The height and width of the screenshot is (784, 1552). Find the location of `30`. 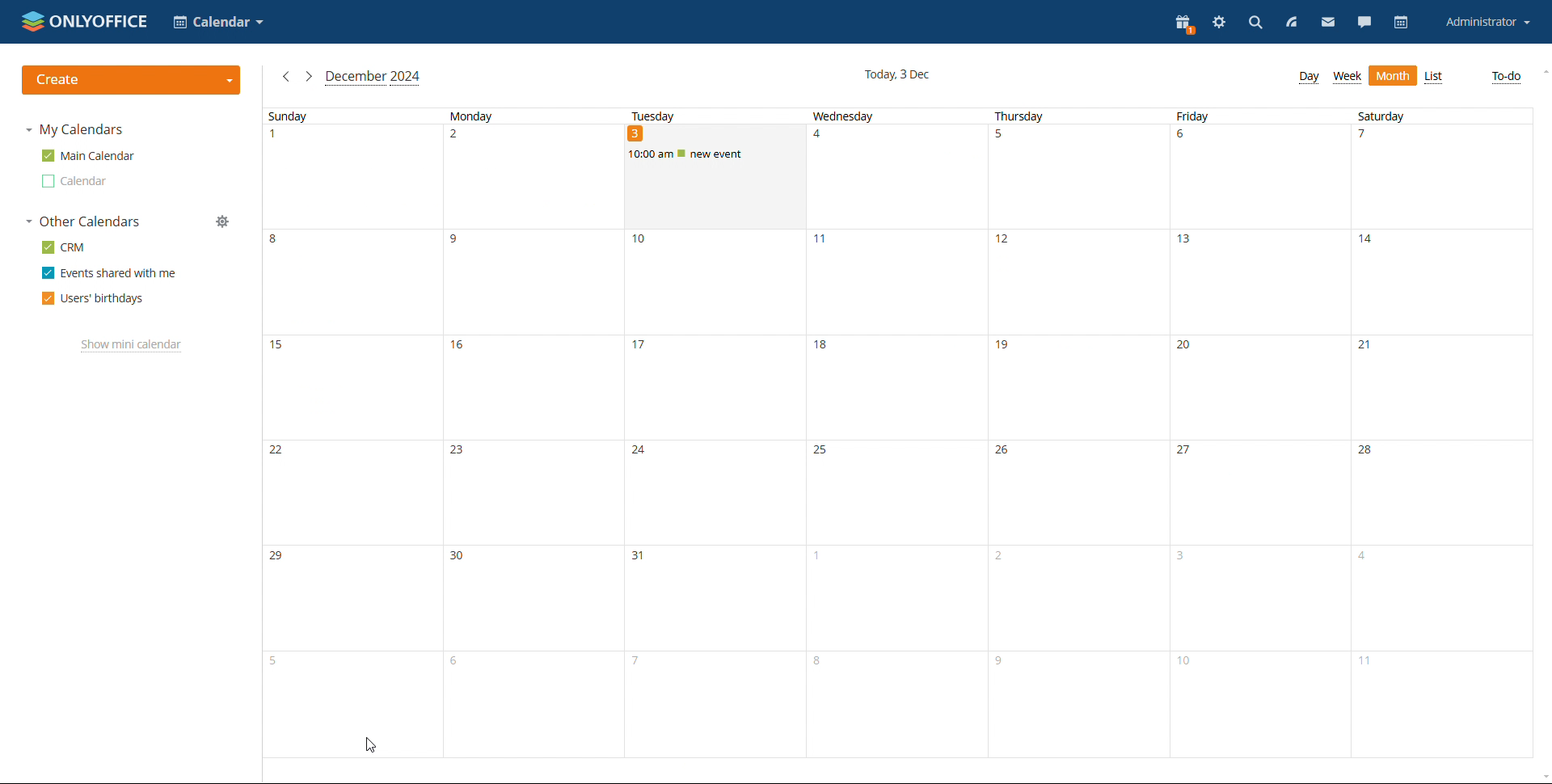

30 is located at coordinates (531, 599).